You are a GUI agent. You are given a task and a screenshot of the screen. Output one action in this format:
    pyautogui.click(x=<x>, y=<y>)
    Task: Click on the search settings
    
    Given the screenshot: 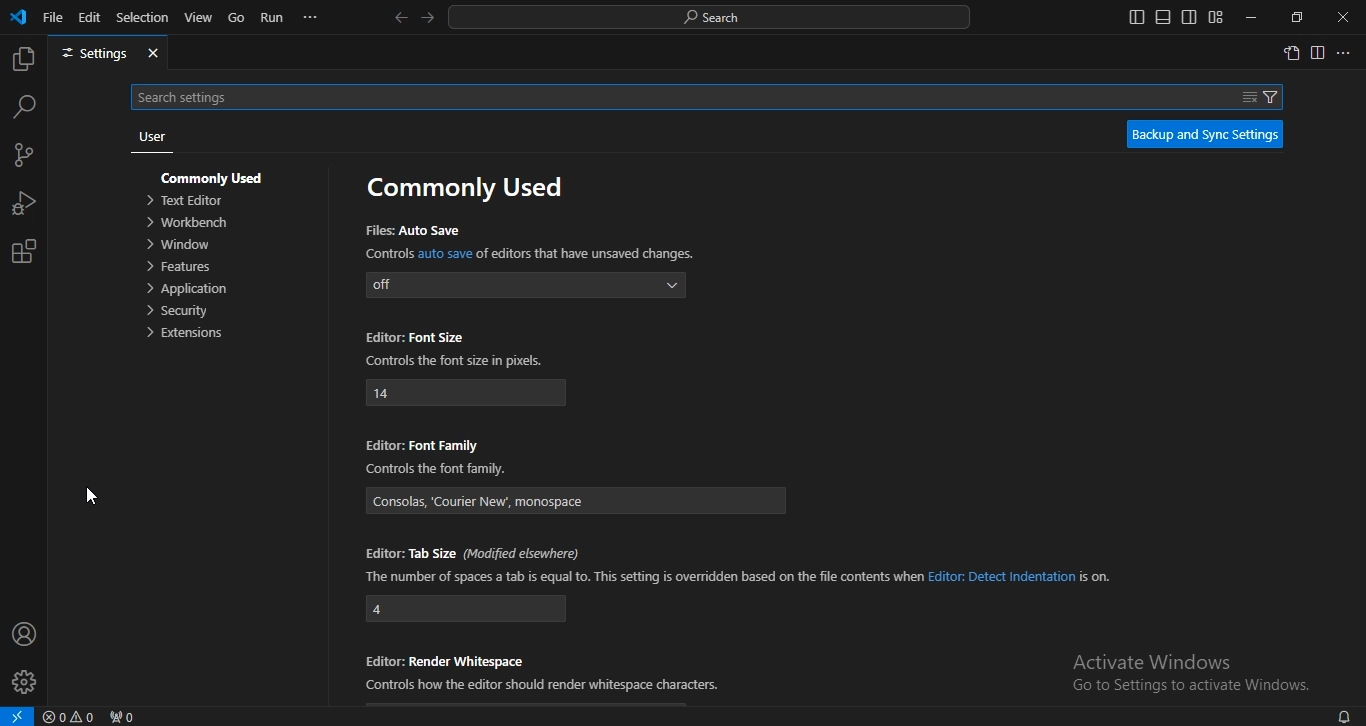 What is the action you would take?
    pyautogui.click(x=714, y=95)
    